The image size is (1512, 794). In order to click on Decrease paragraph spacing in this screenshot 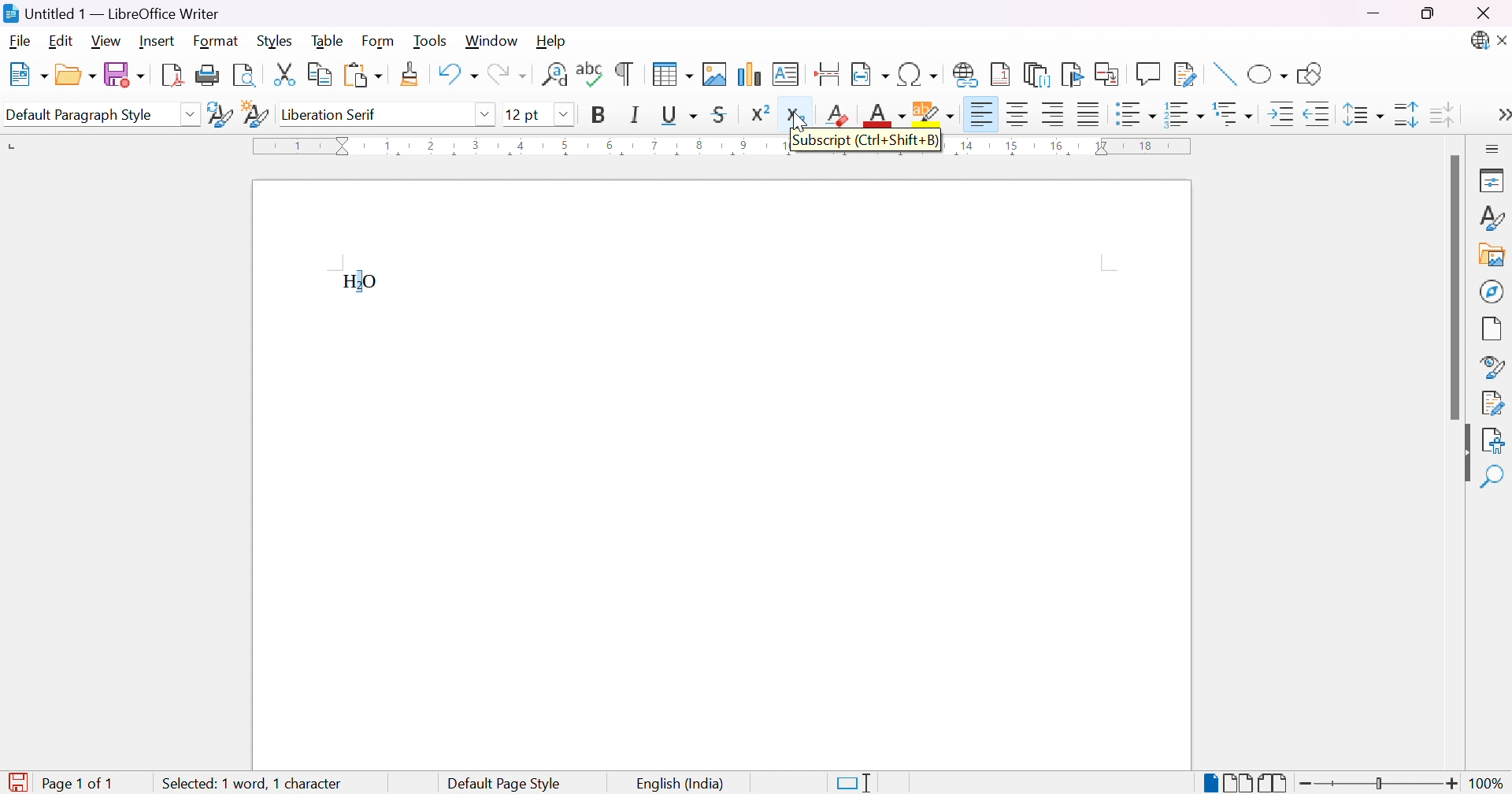, I will do `click(1440, 113)`.